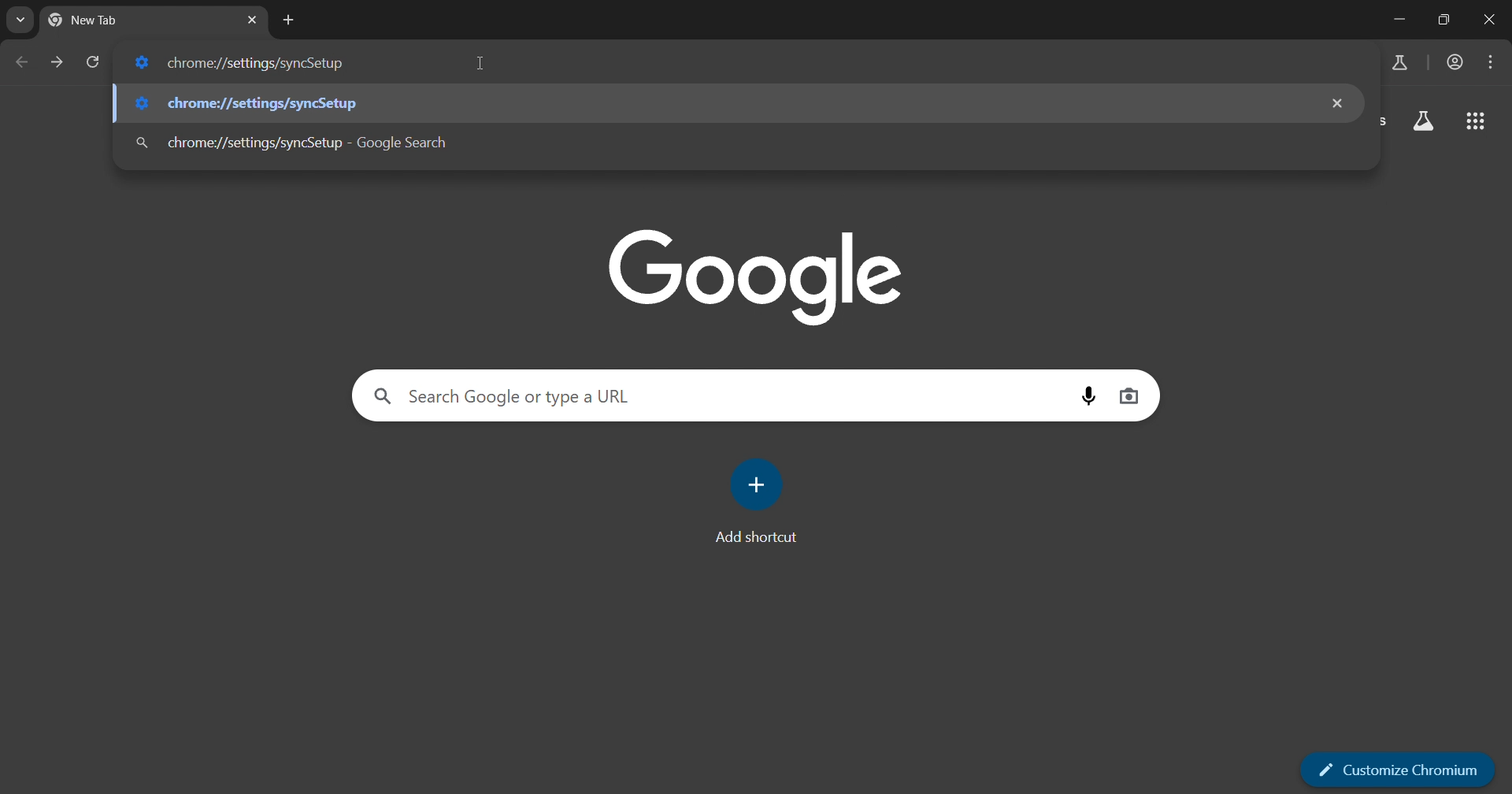  What do you see at coordinates (712, 395) in the screenshot?
I see `search google or type a URL` at bounding box center [712, 395].